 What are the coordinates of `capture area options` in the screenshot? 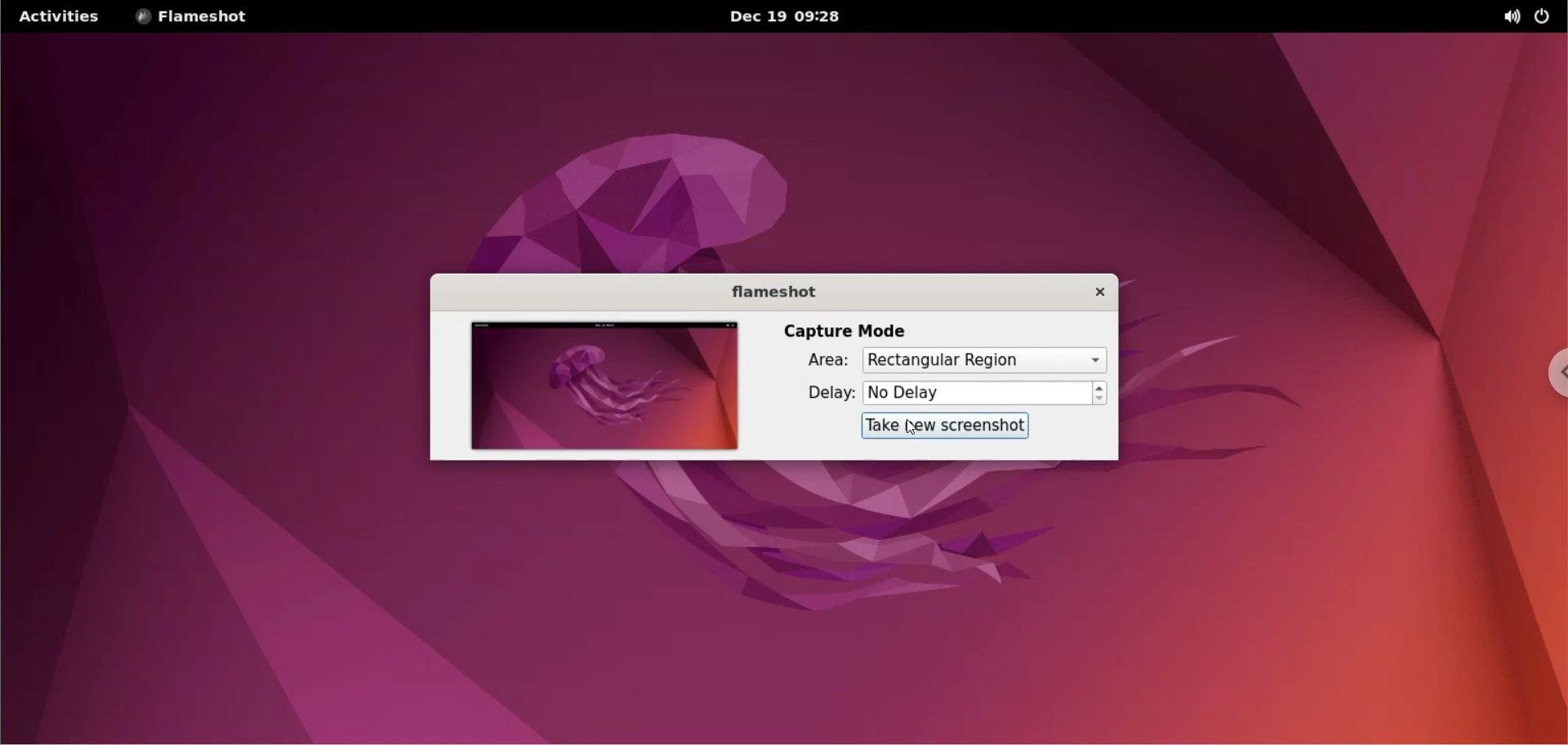 It's located at (984, 361).